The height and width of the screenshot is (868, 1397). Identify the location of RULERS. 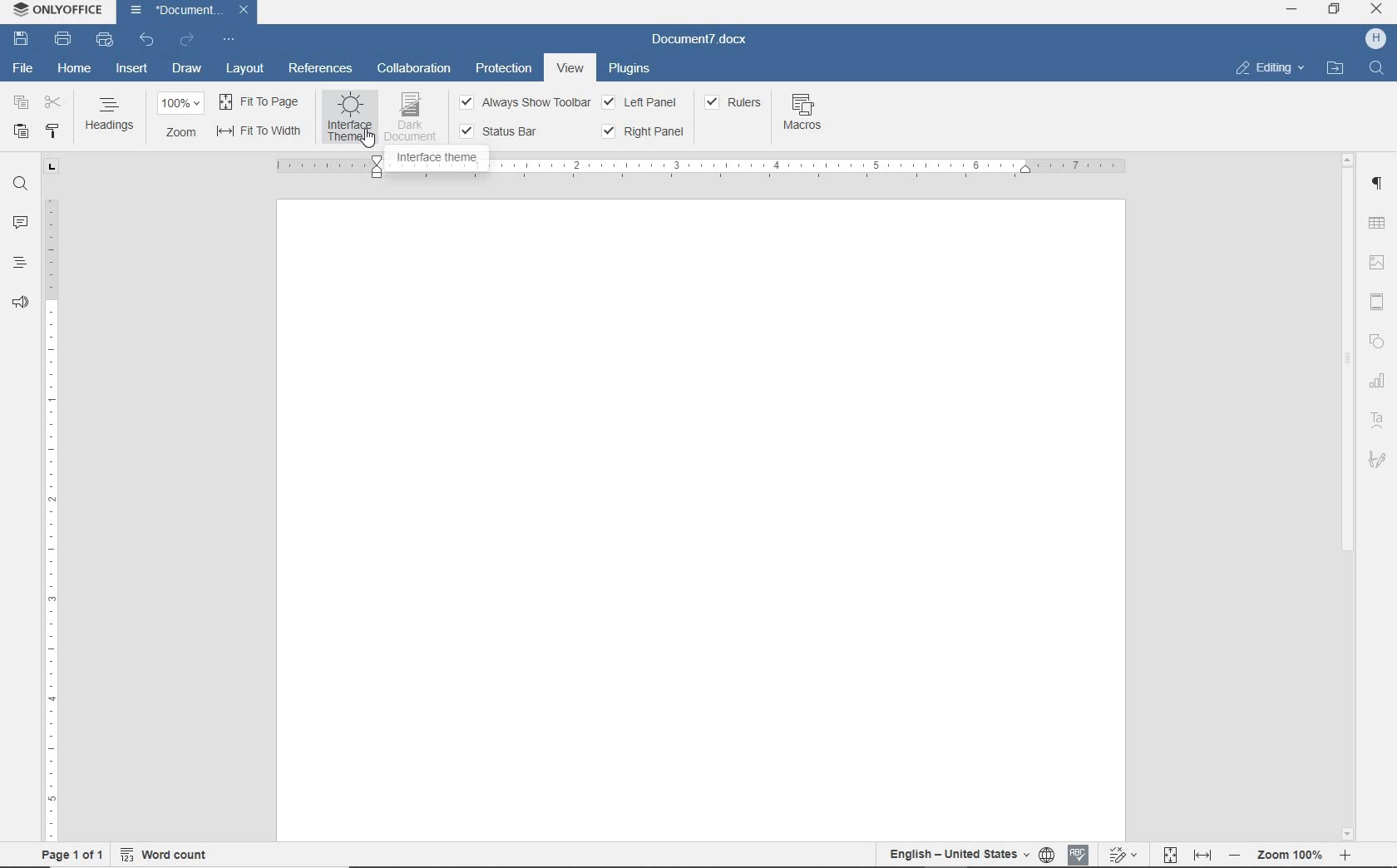
(734, 104).